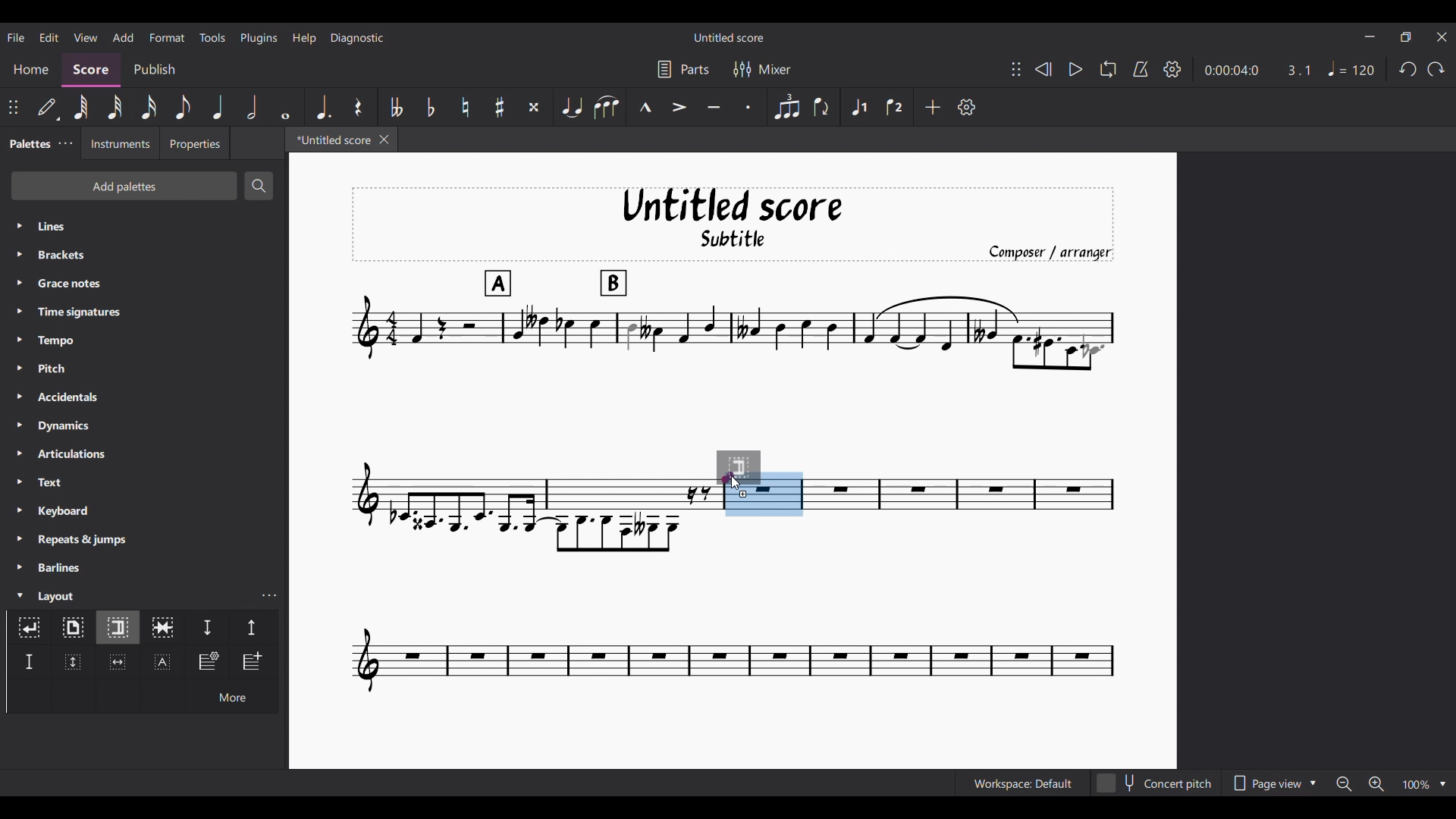 The height and width of the screenshot is (819, 1456). What do you see at coordinates (119, 143) in the screenshot?
I see `Instruments` at bounding box center [119, 143].